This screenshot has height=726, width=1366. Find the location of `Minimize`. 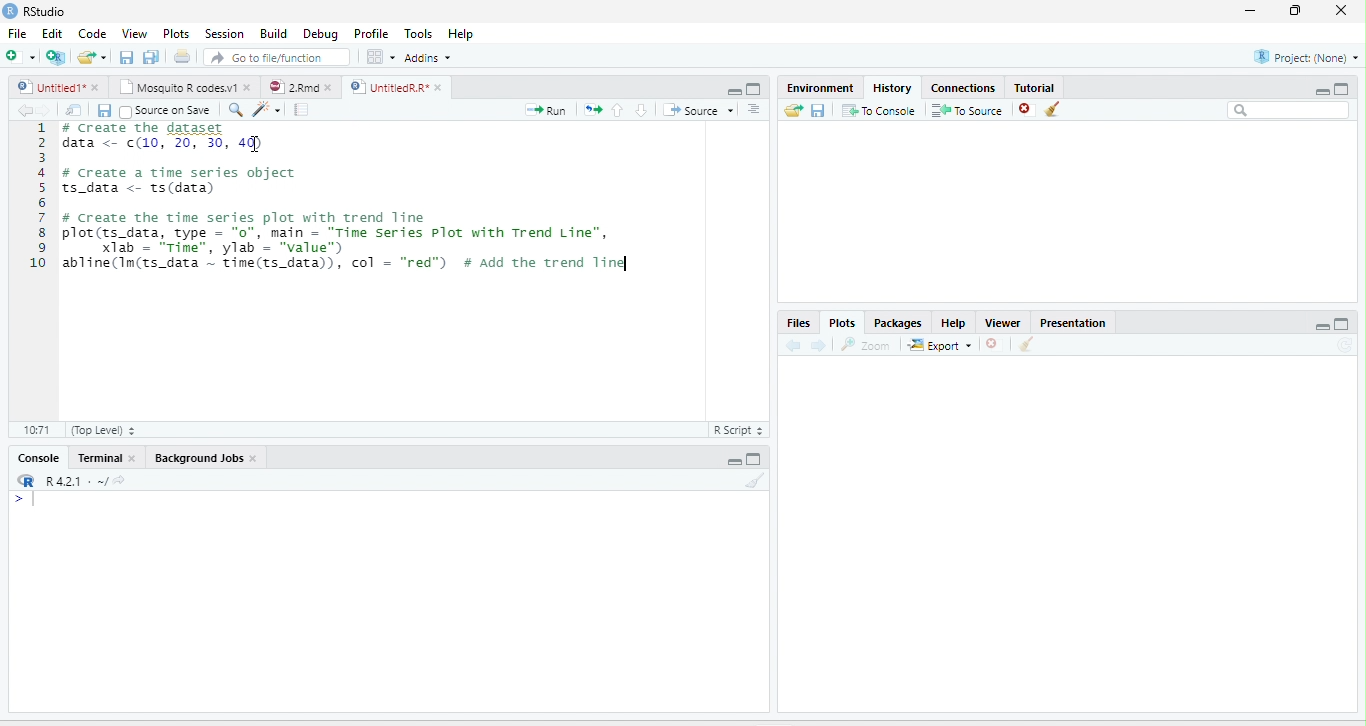

Minimize is located at coordinates (1321, 326).